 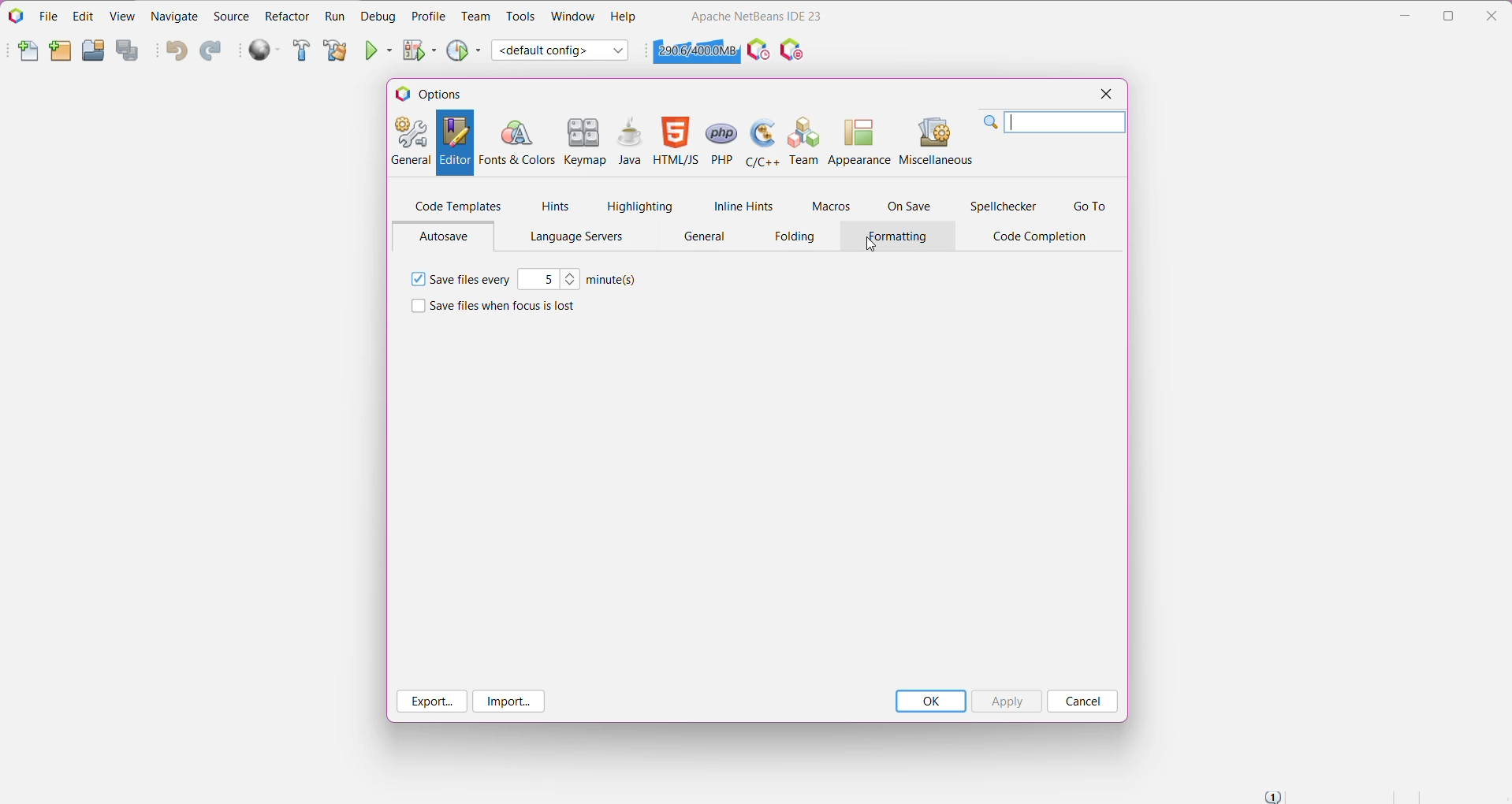 I want to click on I/O Checks, so click(x=794, y=49).